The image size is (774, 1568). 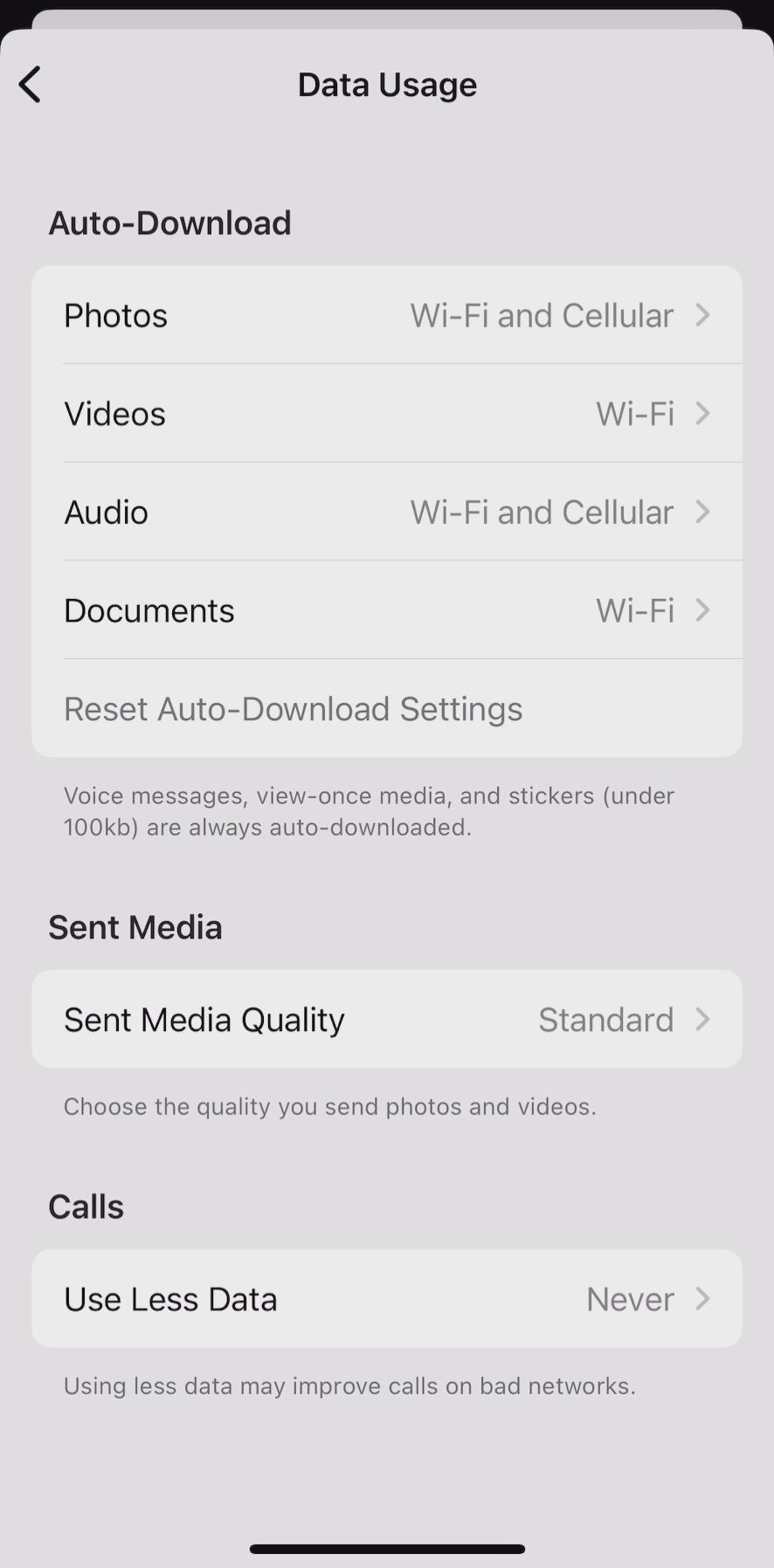 I want to click on using less data may improve, so click(x=349, y=1386).